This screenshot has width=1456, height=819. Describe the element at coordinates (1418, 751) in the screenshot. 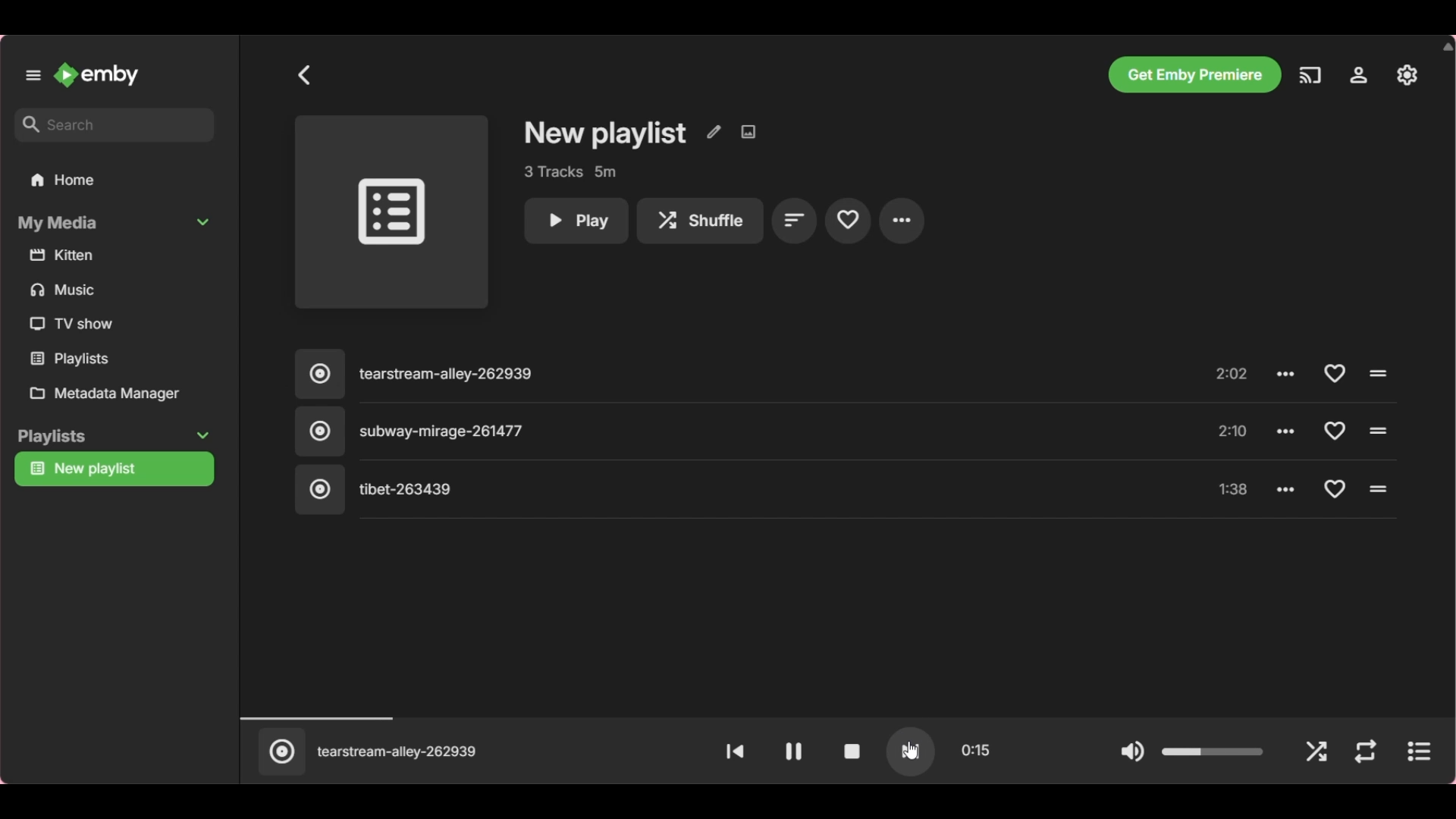

I see ` play current song separately` at that location.